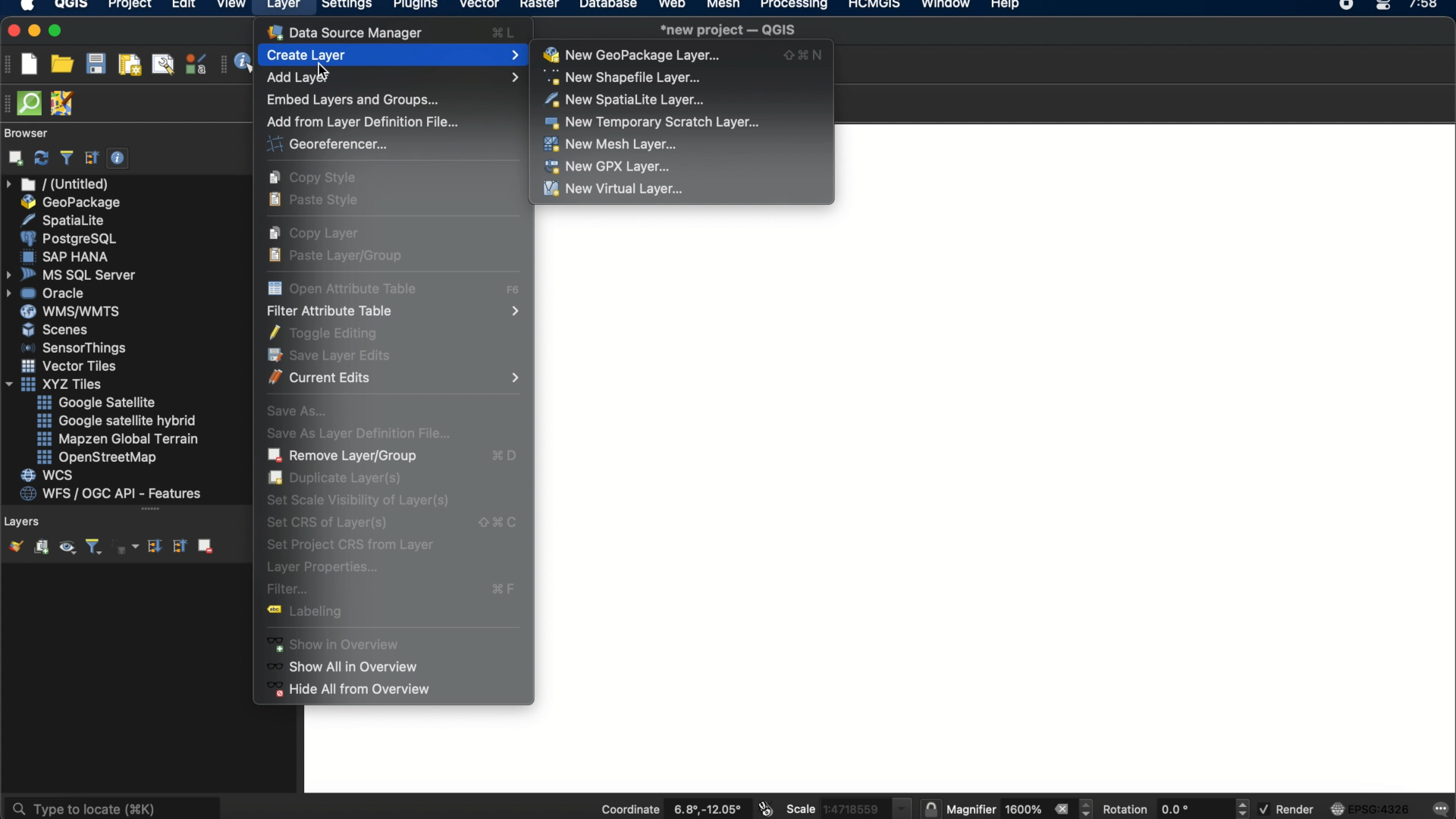 The width and height of the screenshot is (1456, 819). What do you see at coordinates (178, 545) in the screenshot?
I see `collapse all` at bounding box center [178, 545].